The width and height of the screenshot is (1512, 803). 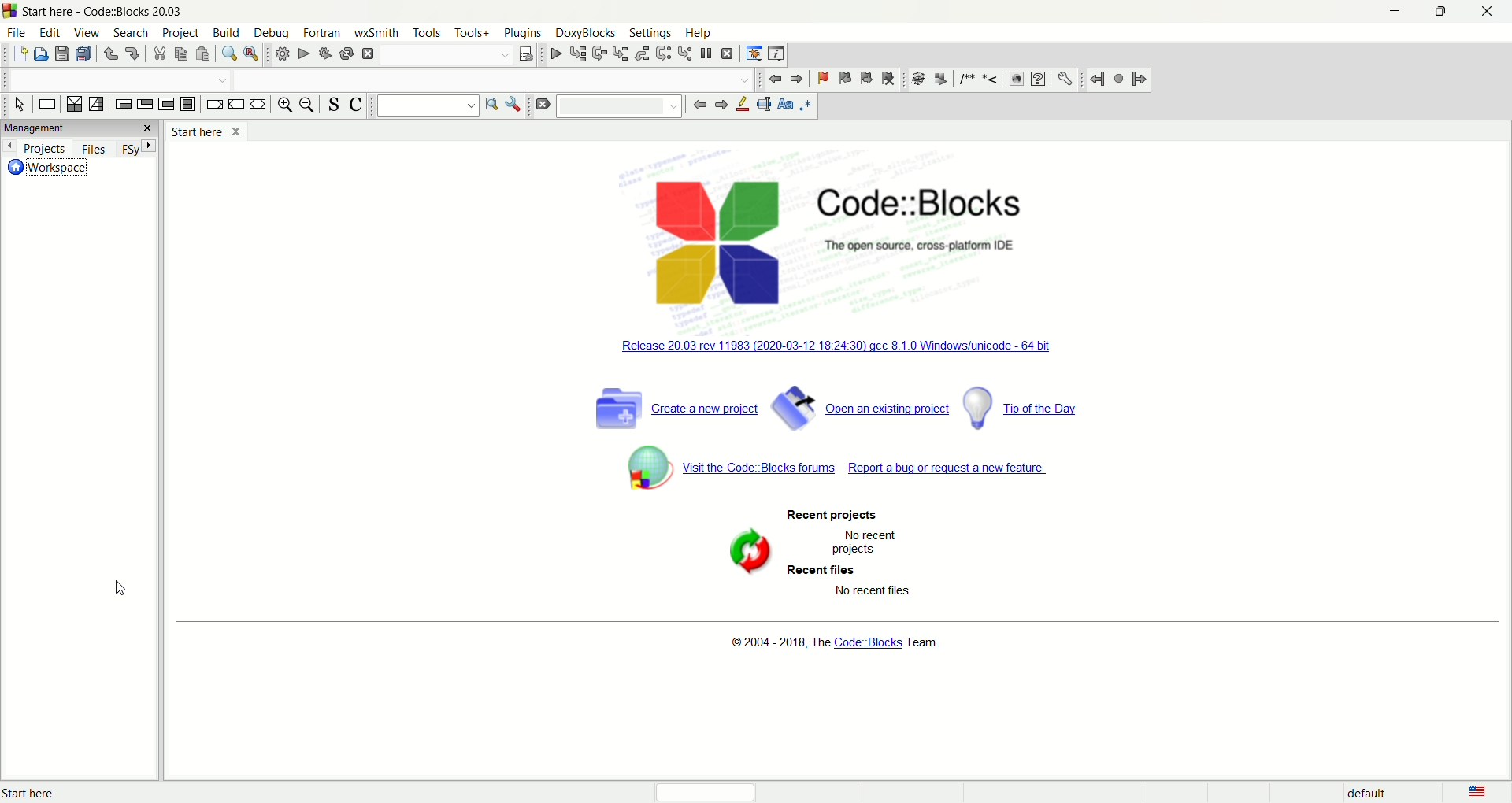 I want to click on recent project, so click(x=837, y=514).